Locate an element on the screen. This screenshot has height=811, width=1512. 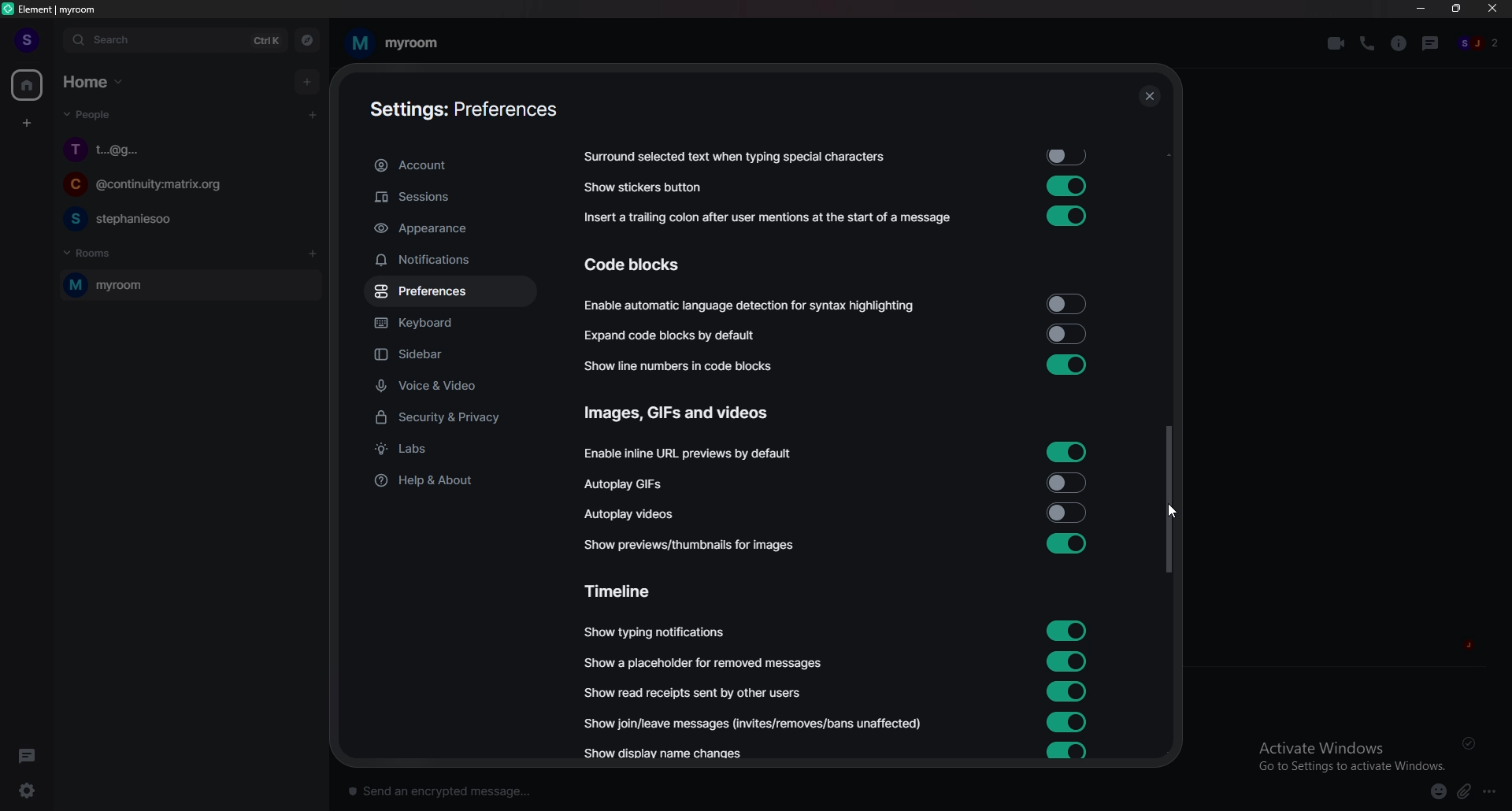
people is located at coordinates (1480, 44).